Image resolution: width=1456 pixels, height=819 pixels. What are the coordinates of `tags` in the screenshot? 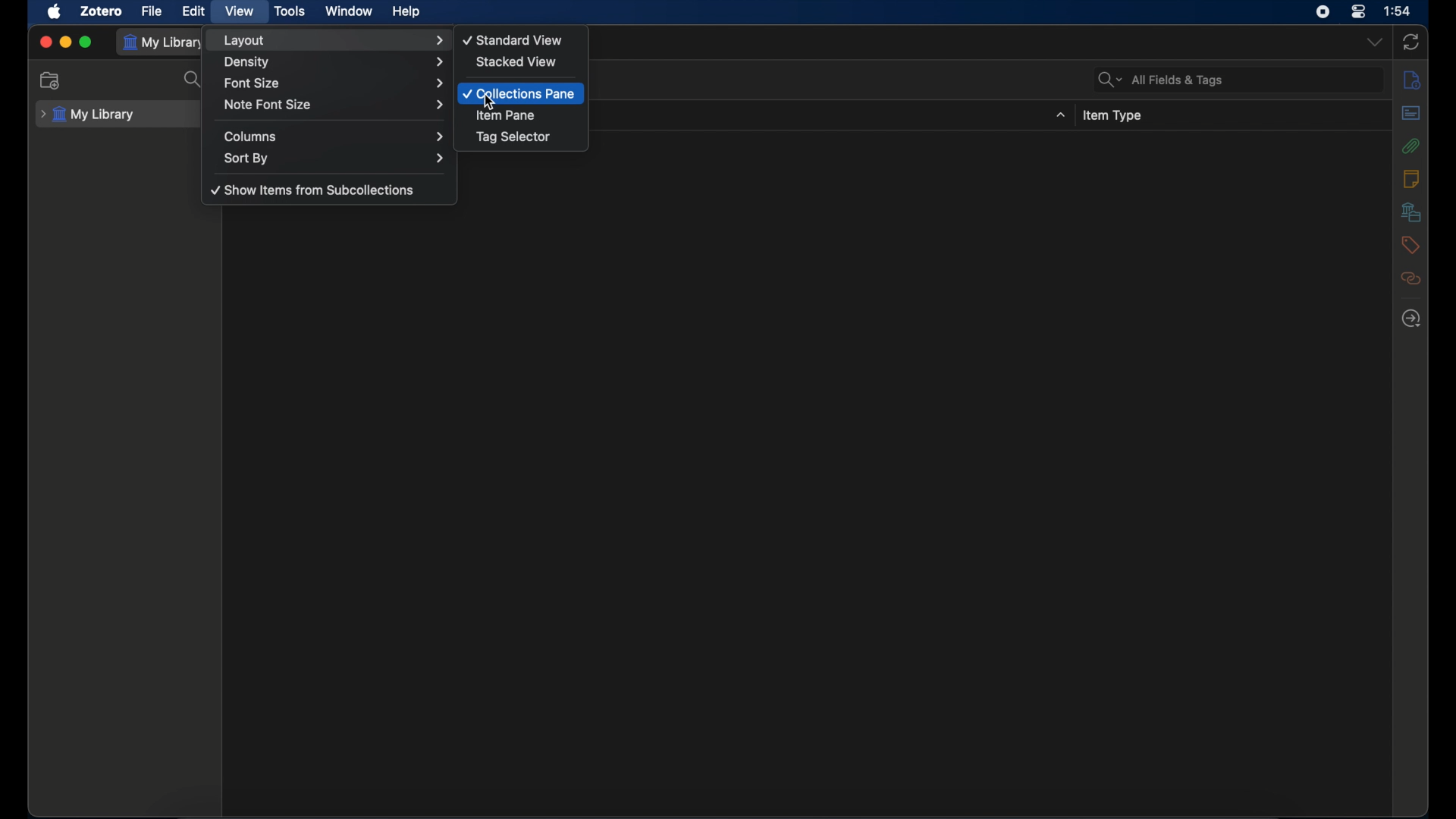 It's located at (1410, 246).